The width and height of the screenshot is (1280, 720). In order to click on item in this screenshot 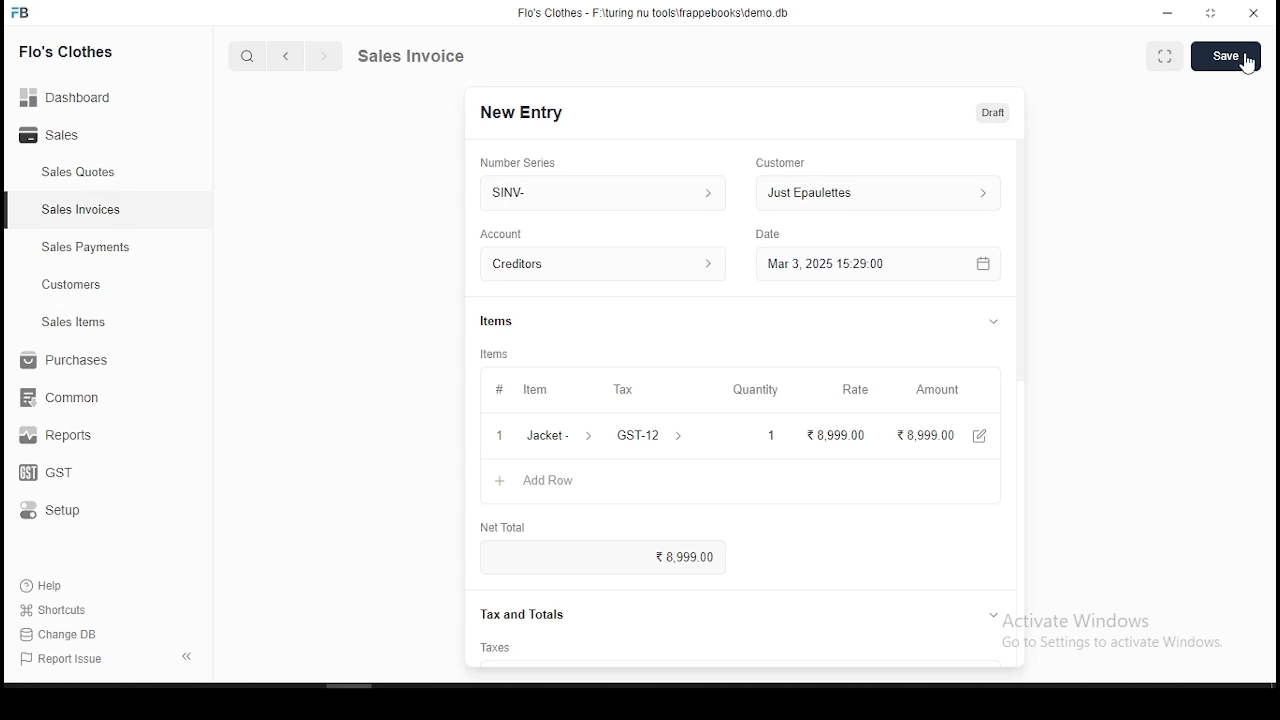, I will do `click(524, 388)`.